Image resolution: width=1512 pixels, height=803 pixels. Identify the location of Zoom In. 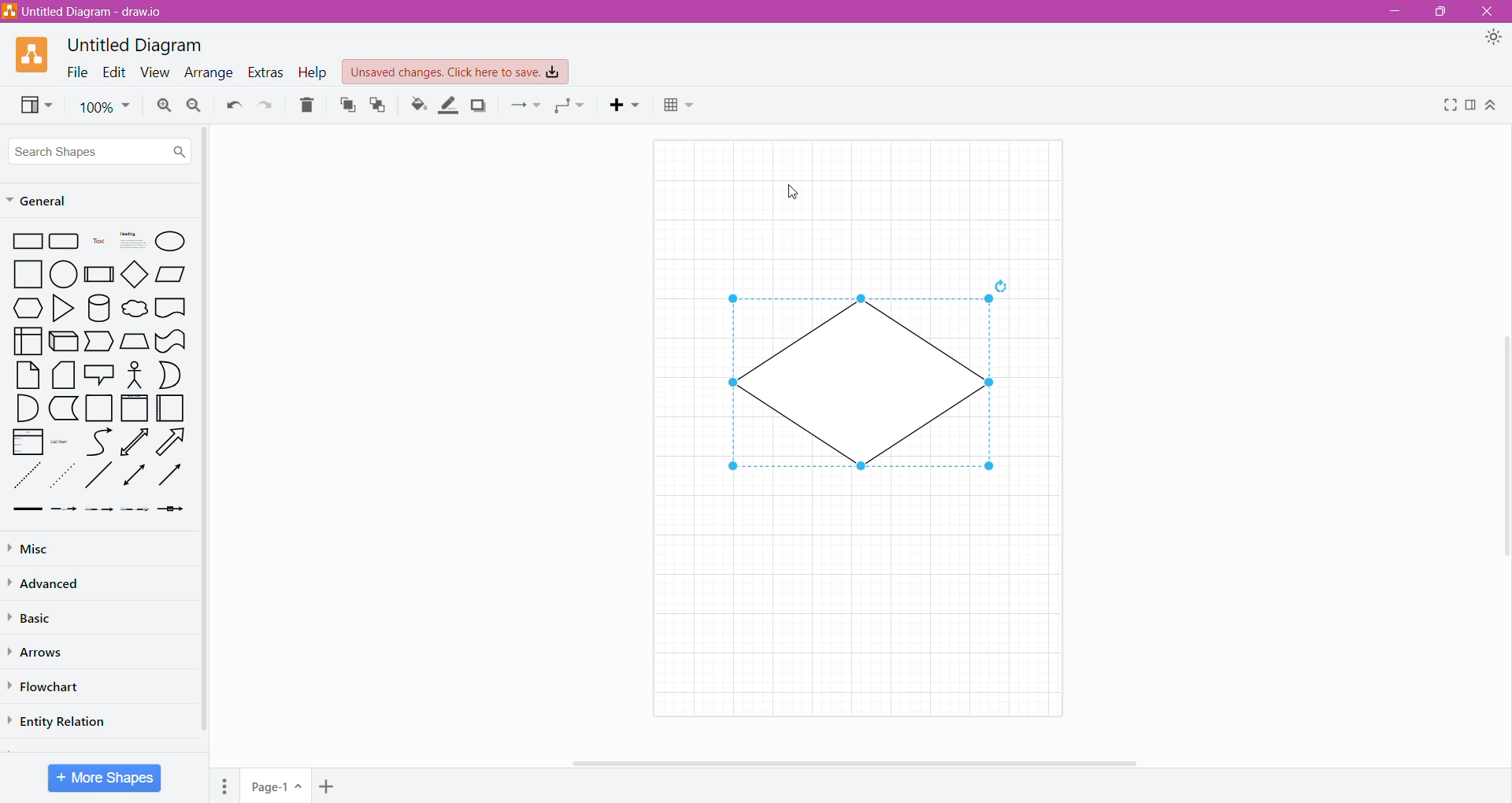
(162, 105).